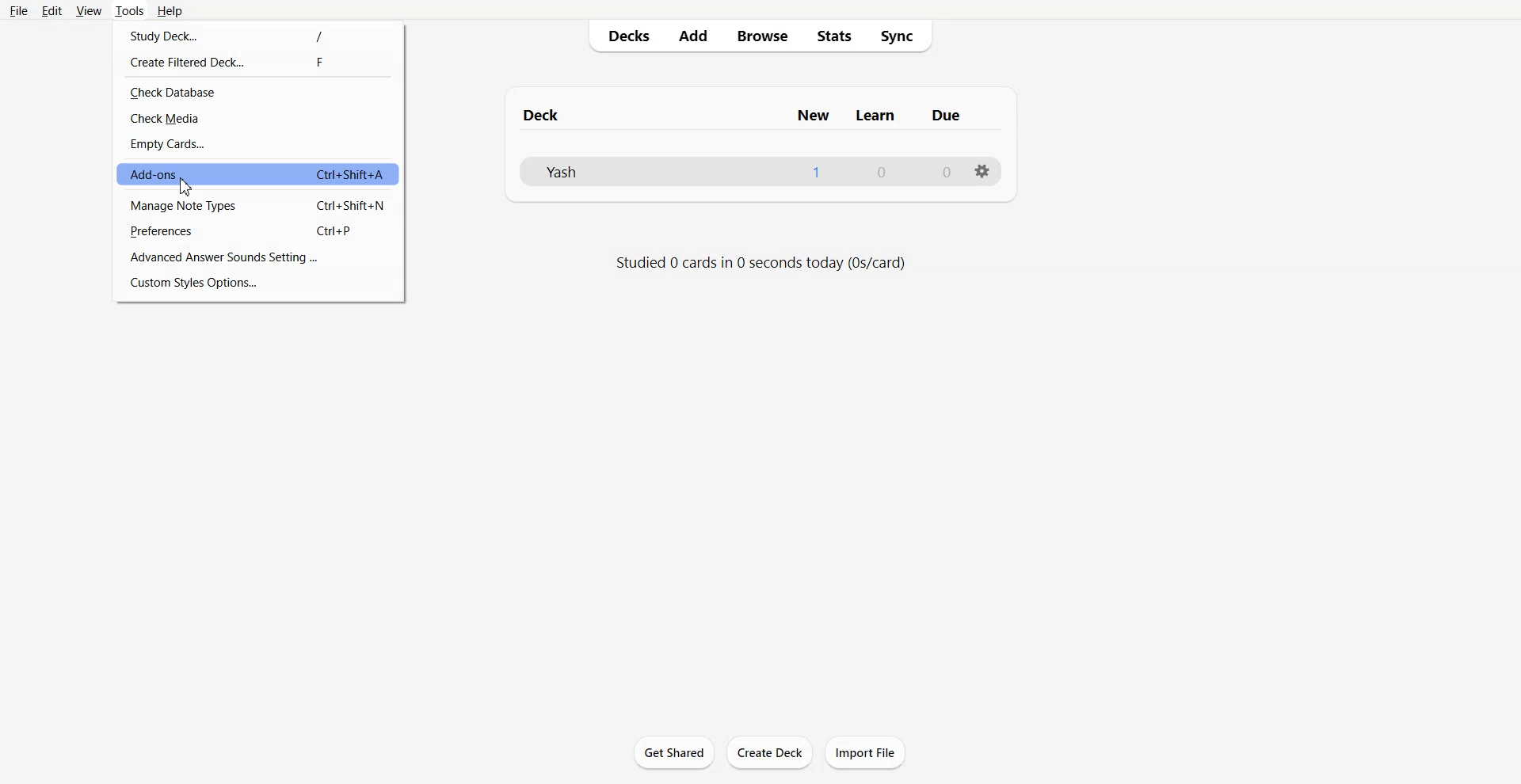 The width and height of the screenshot is (1521, 784). Describe the element at coordinates (769, 752) in the screenshot. I see `Create Deck` at that location.